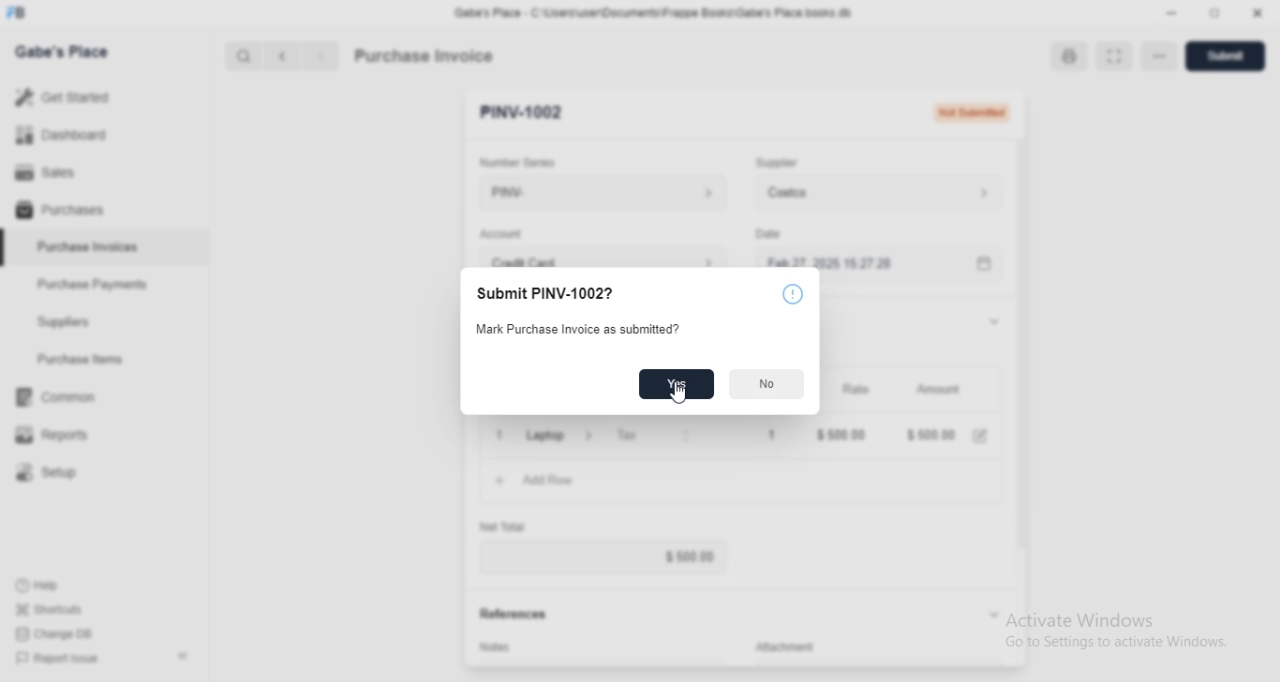  Describe the element at coordinates (578, 329) in the screenshot. I see `Mark Purchase Invoice as submitted?` at that location.